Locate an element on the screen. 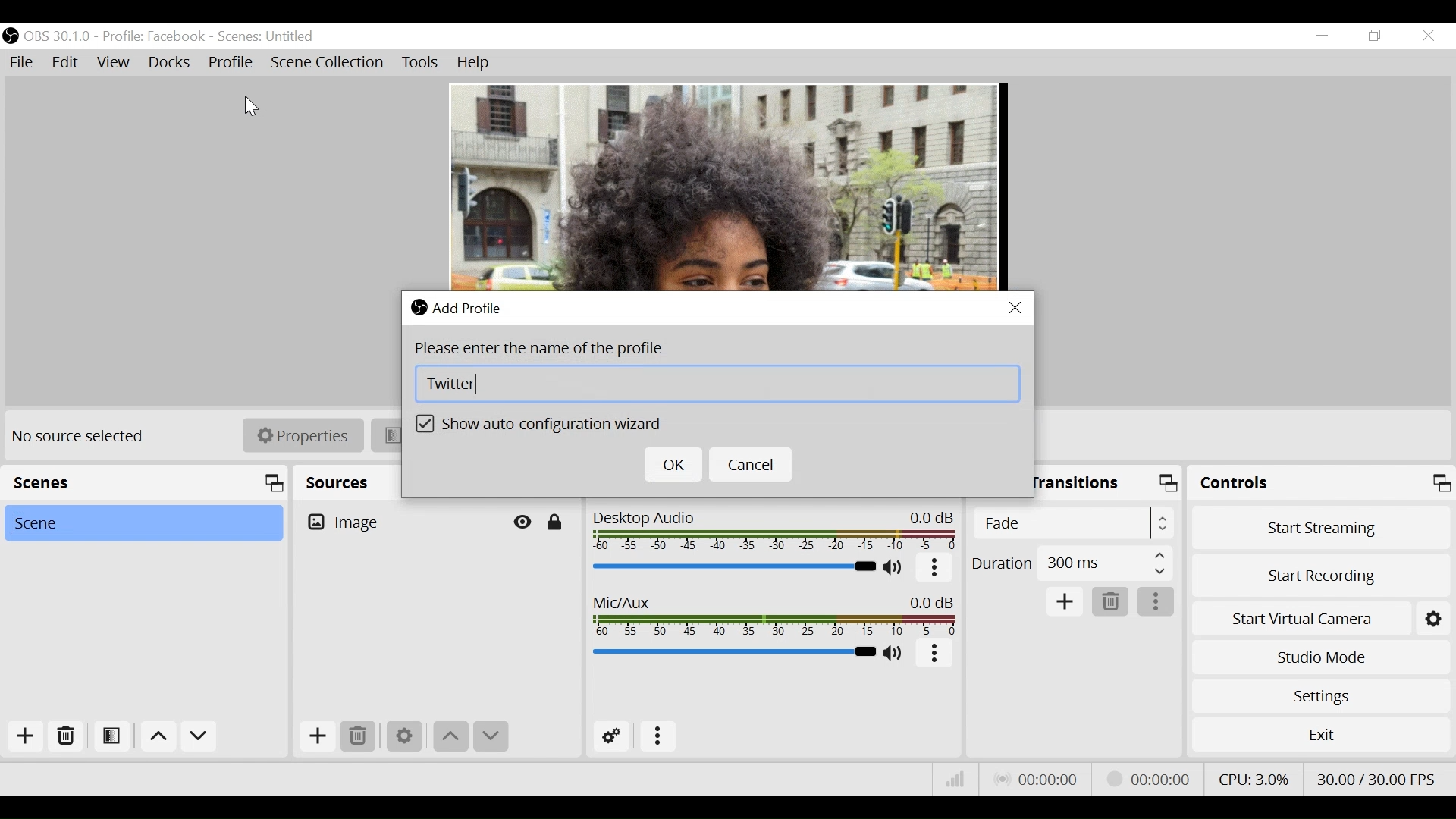 The height and width of the screenshot is (819, 1456). Cancel is located at coordinates (755, 465).